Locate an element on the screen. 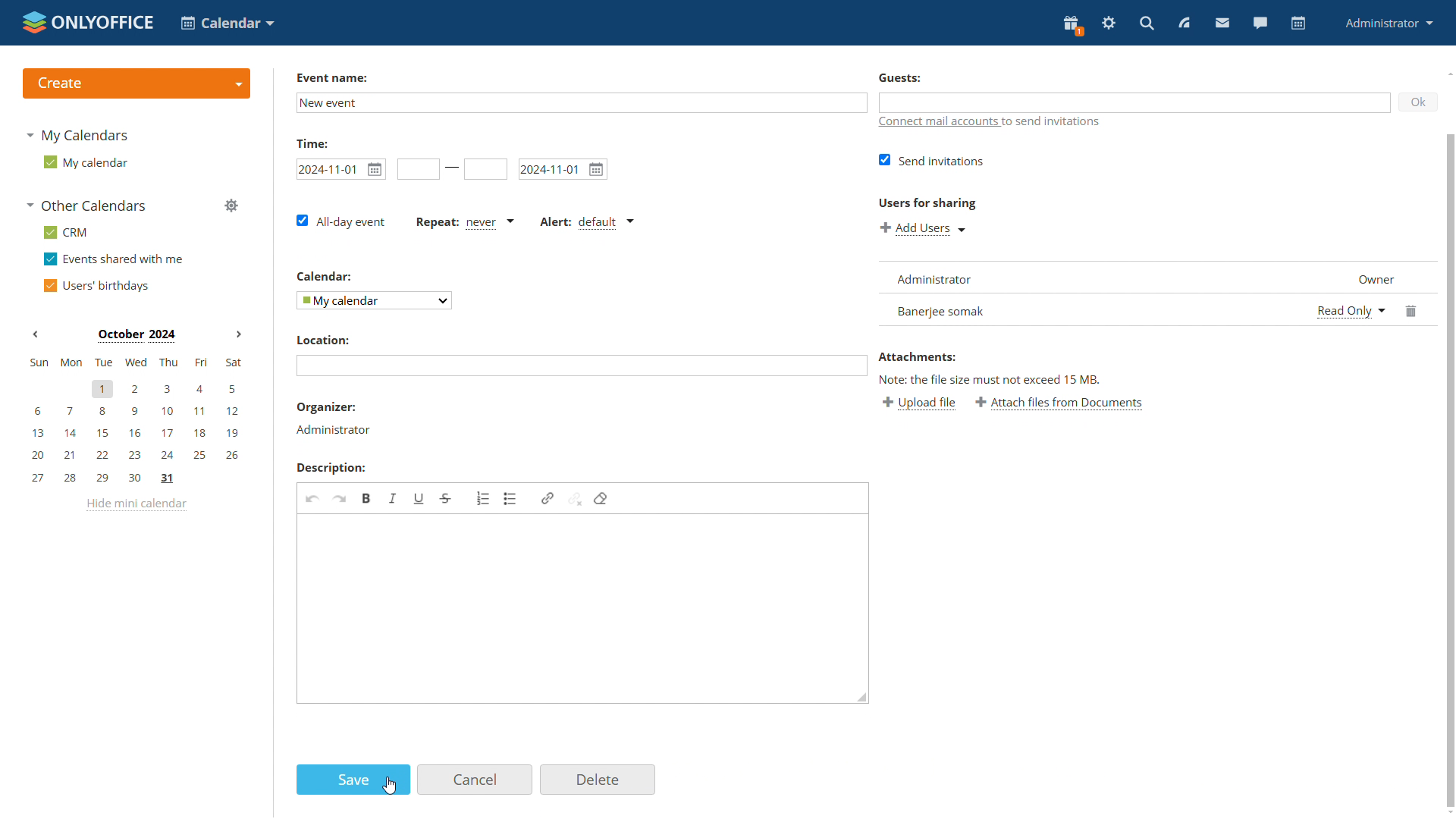 Image resolution: width=1456 pixels, height=819 pixels. hide mini calendar is located at coordinates (139, 507).